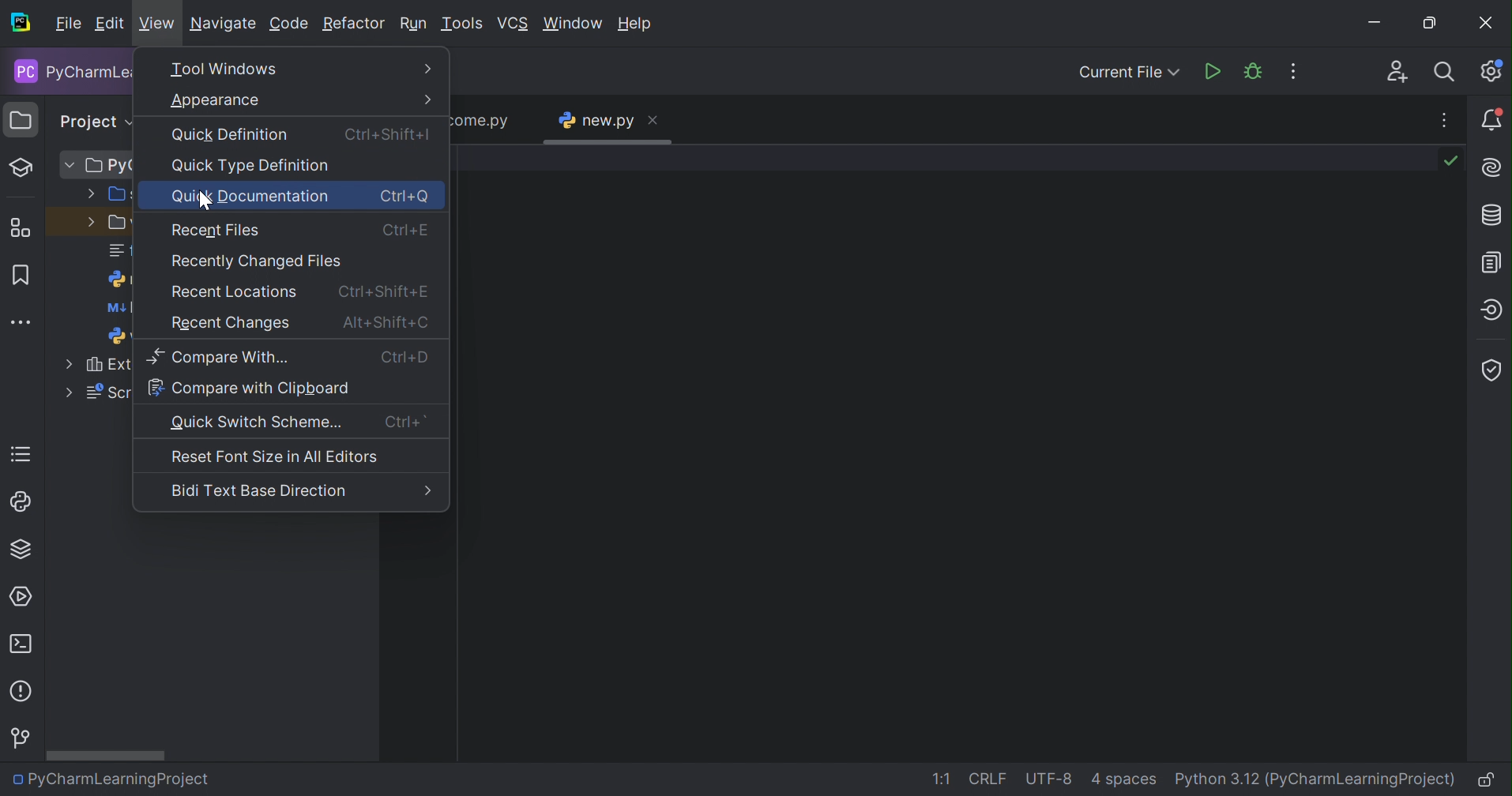 The image size is (1512, 796). I want to click on Recent Files, so click(216, 231).